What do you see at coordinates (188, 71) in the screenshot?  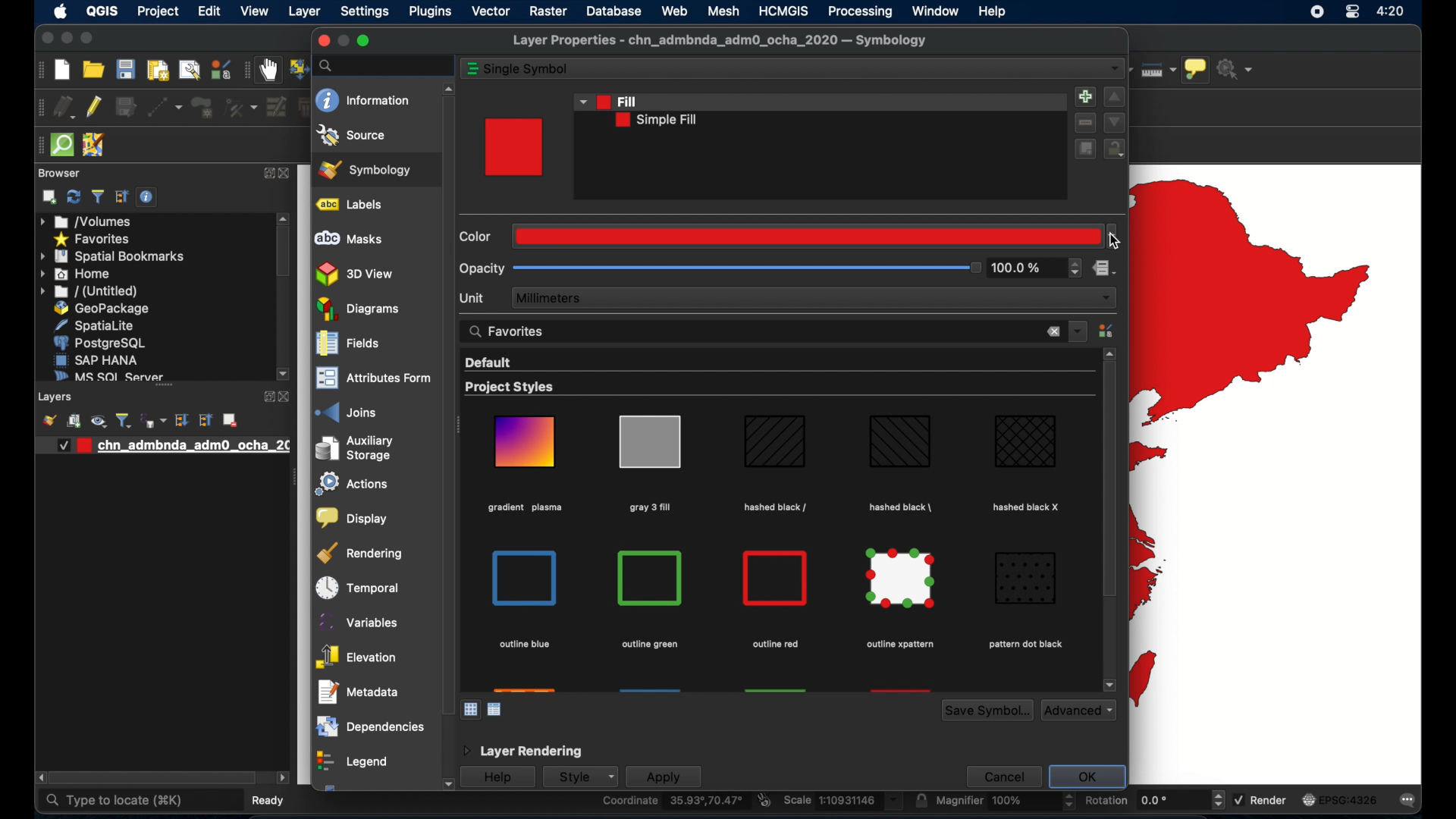 I see `open layout manager` at bounding box center [188, 71].